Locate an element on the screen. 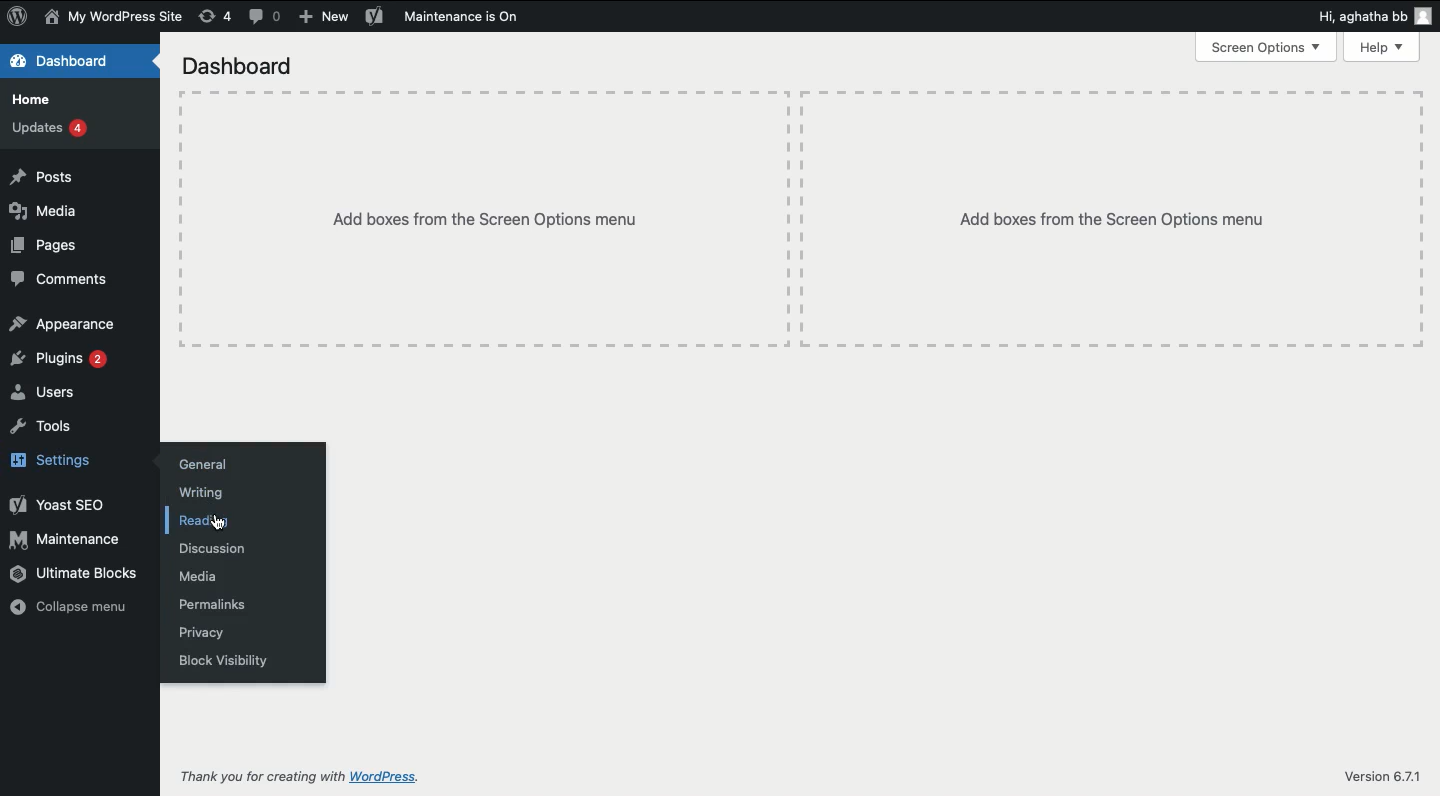 This screenshot has height=796, width=1440. tools is located at coordinates (42, 428).